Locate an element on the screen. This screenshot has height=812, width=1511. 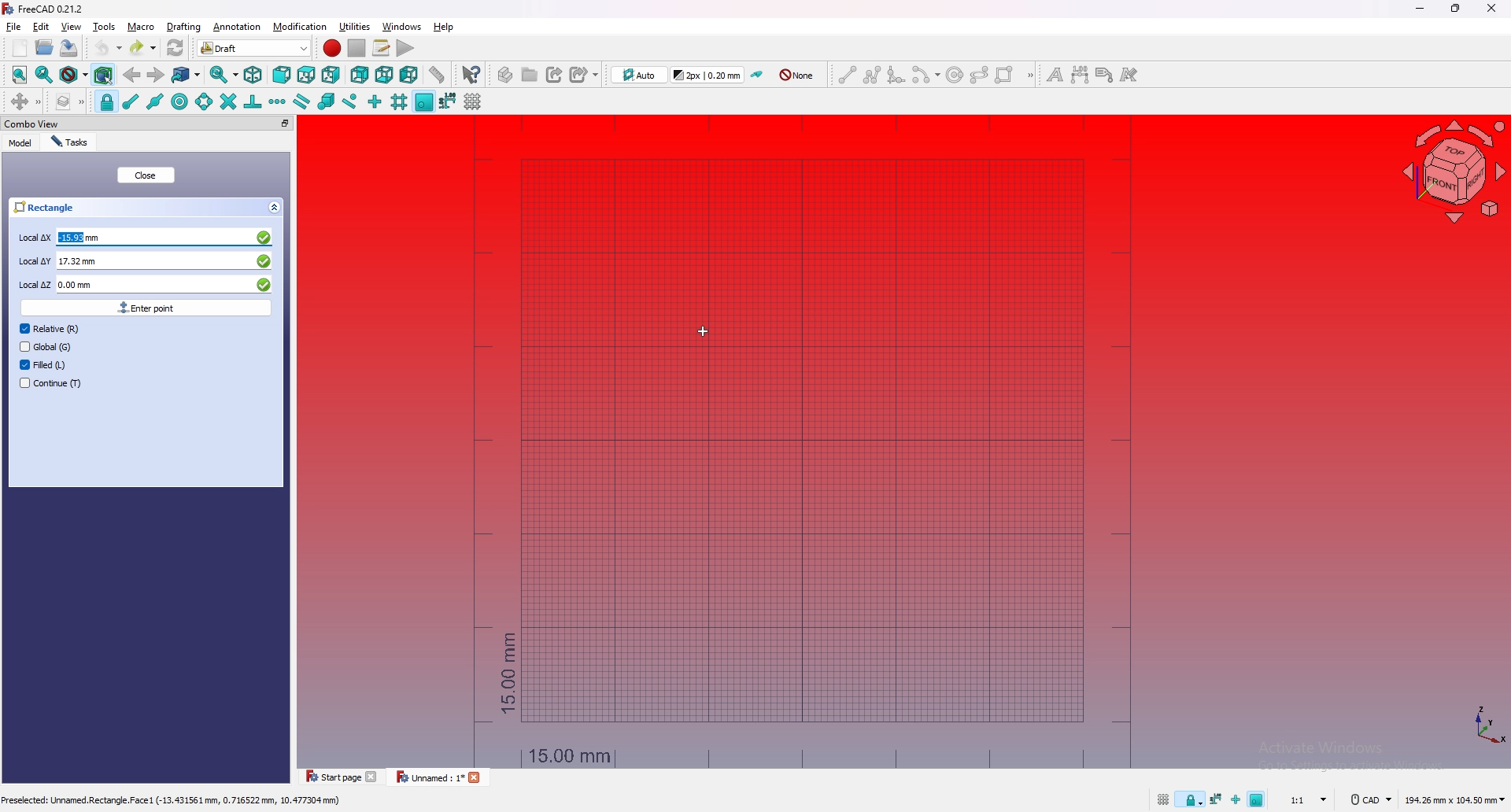
move is located at coordinates (24, 102).